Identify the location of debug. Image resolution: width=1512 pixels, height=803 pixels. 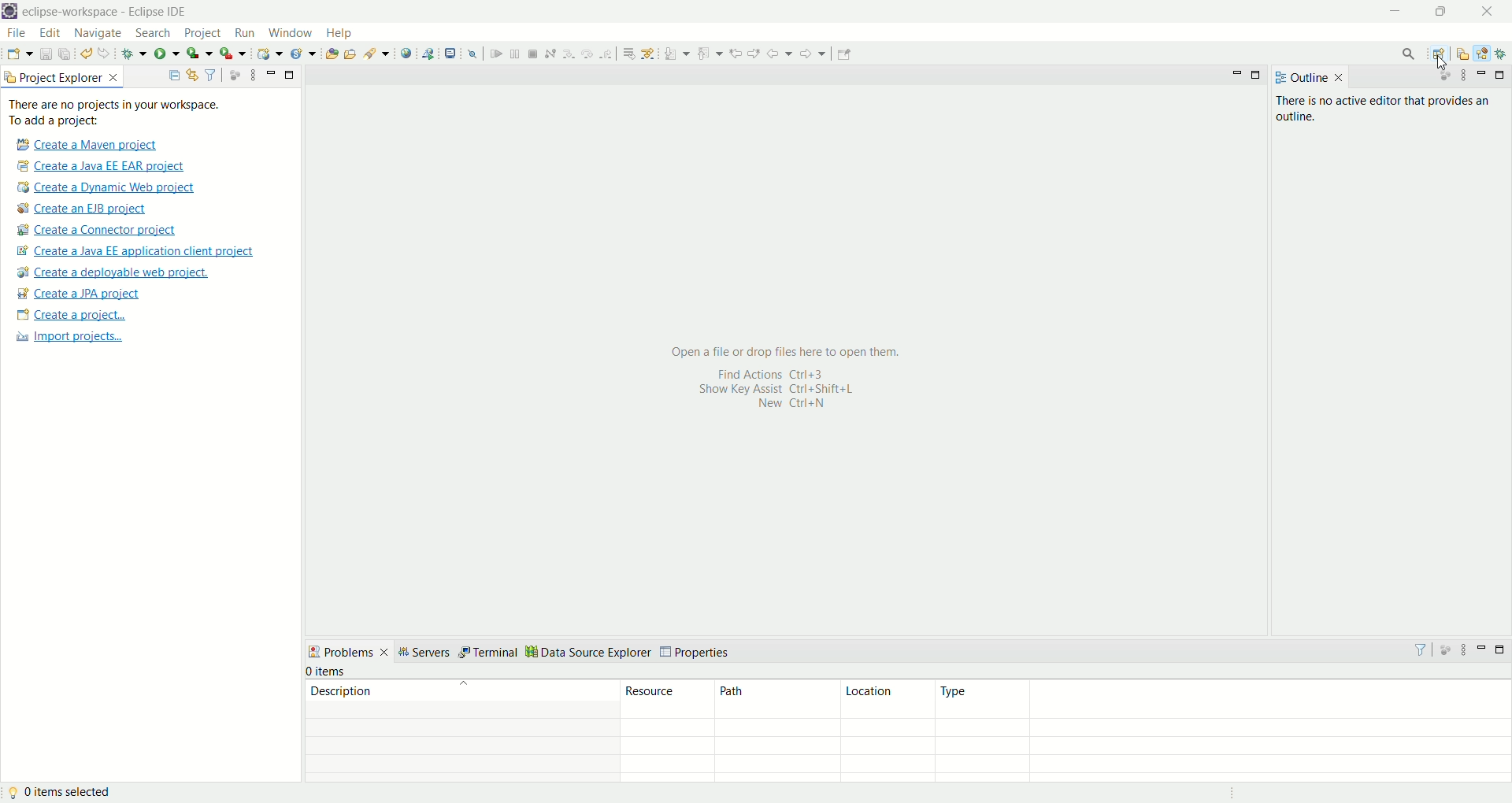
(1503, 54).